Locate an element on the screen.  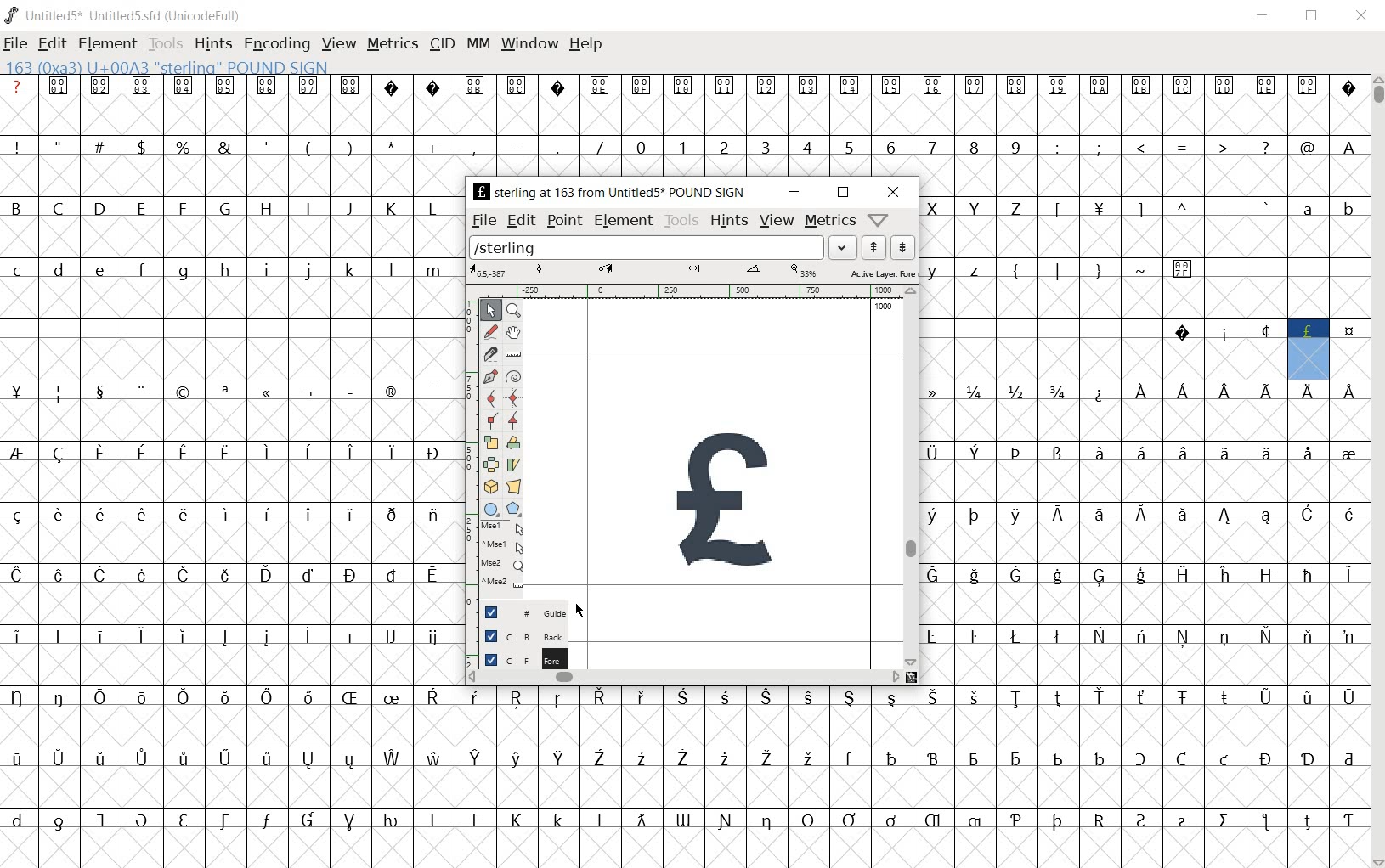
metrics is located at coordinates (830, 220).